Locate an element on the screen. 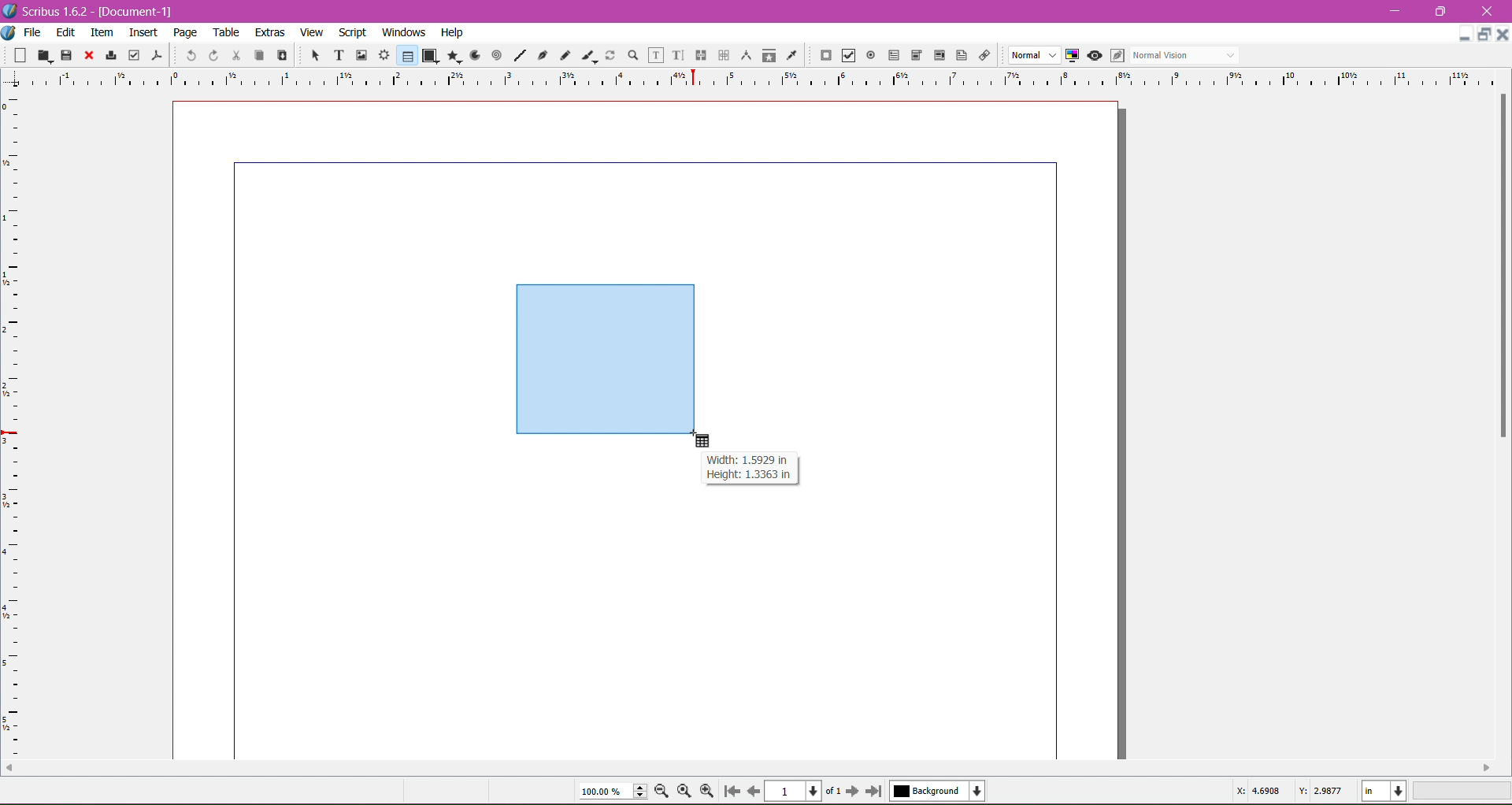 The image size is (1512, 805). Insert is located at coordinates (143, 30).